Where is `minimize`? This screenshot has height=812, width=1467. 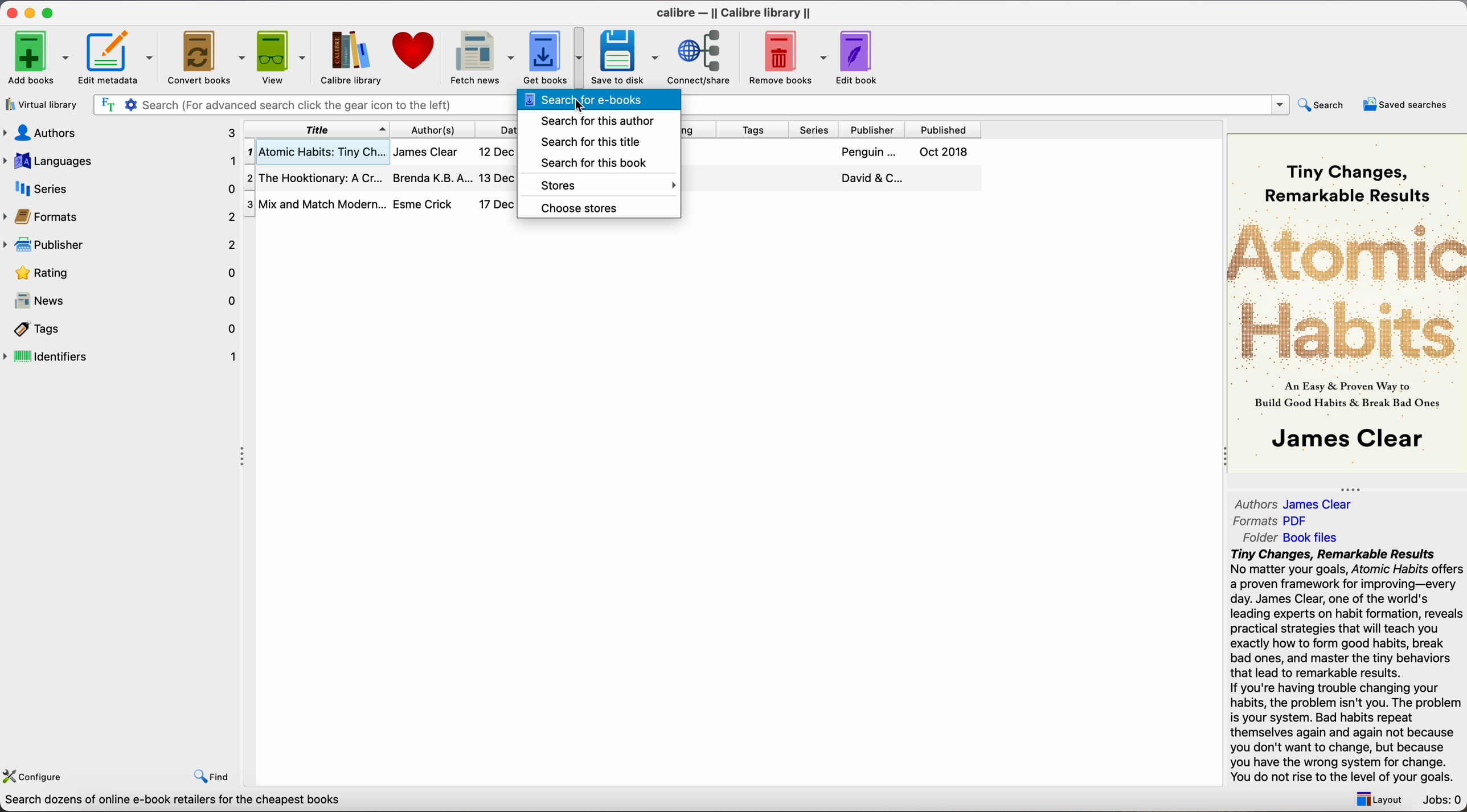 minimize is located at coordinates (32, 12).